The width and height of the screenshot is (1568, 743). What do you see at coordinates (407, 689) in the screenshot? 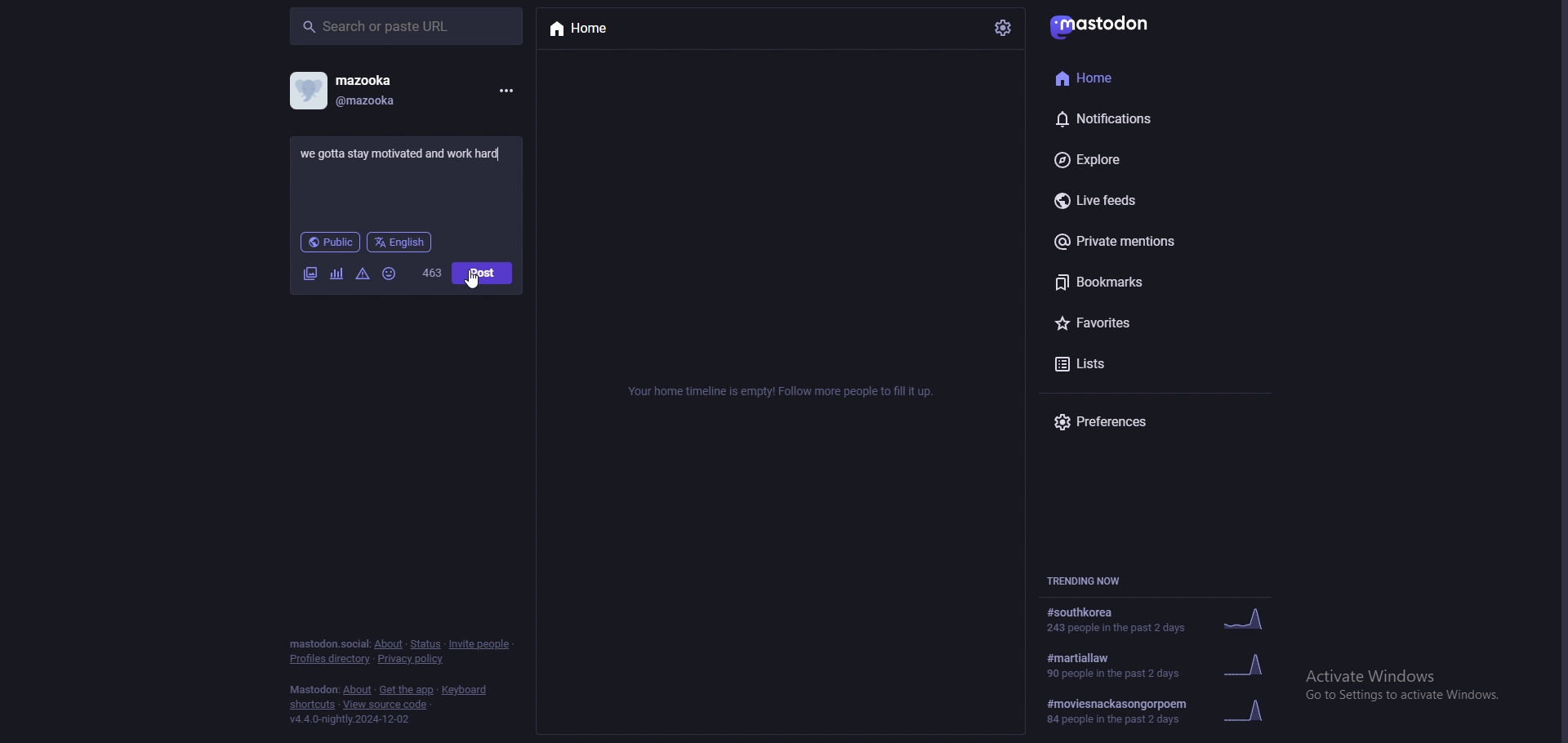
I see `get the app` at bounding box center [407, 689].